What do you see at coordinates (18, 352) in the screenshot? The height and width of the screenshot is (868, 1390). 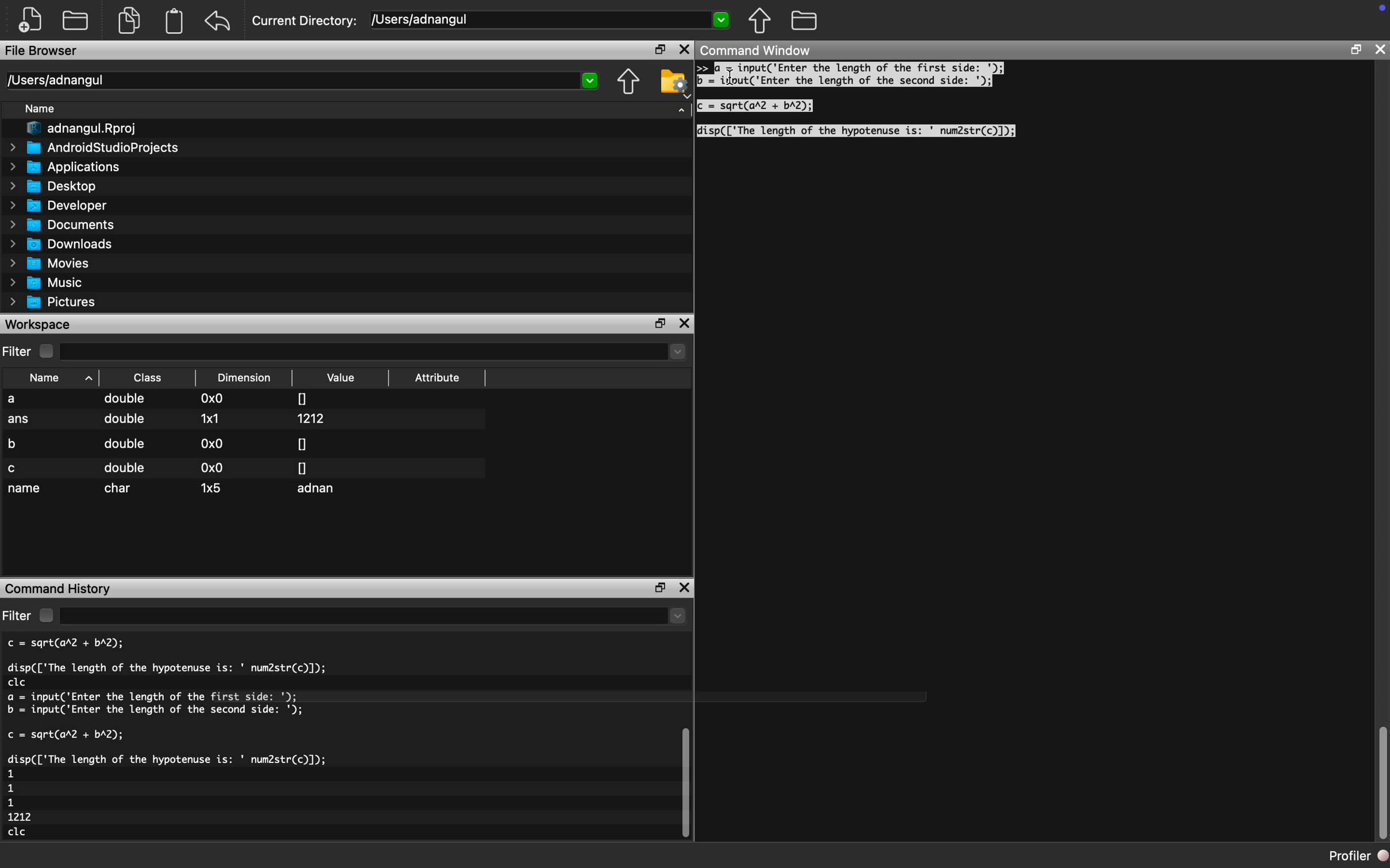 I see `Filter` at bounding box center [18, 352].